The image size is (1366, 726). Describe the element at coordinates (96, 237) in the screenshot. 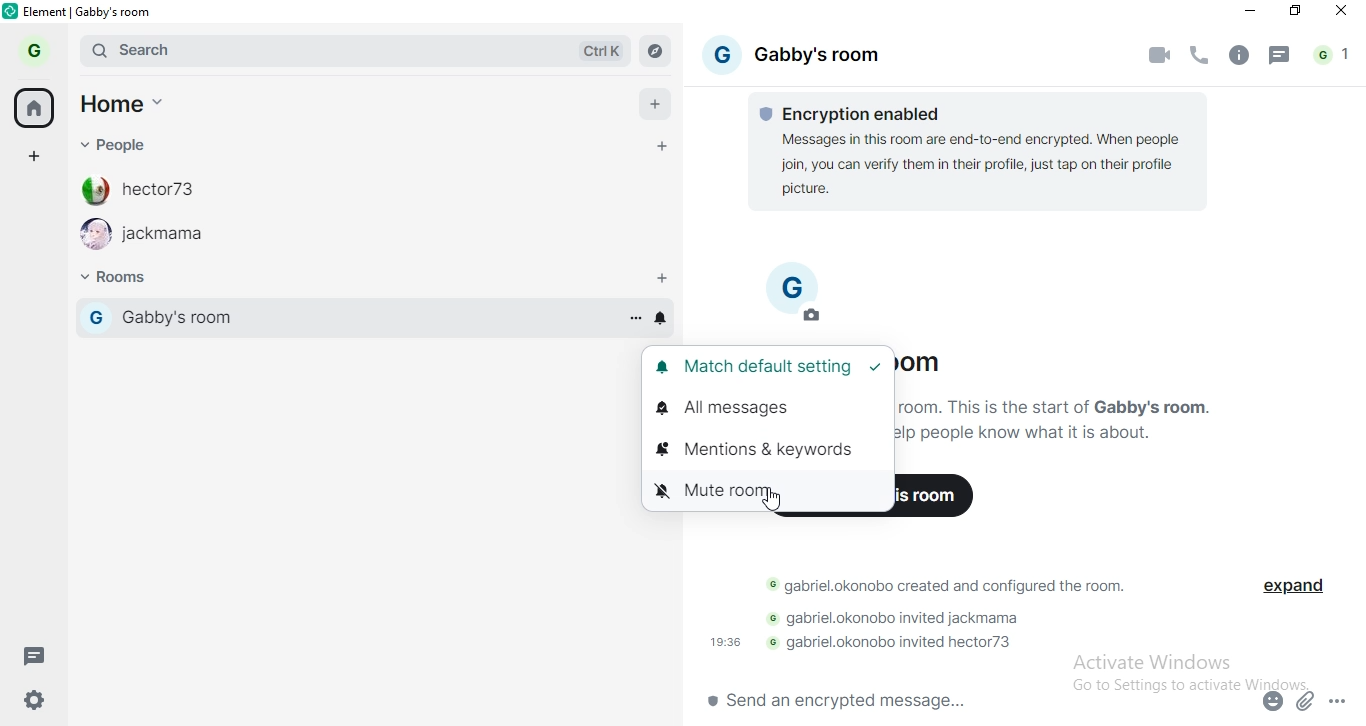

I see `profile` at that location.